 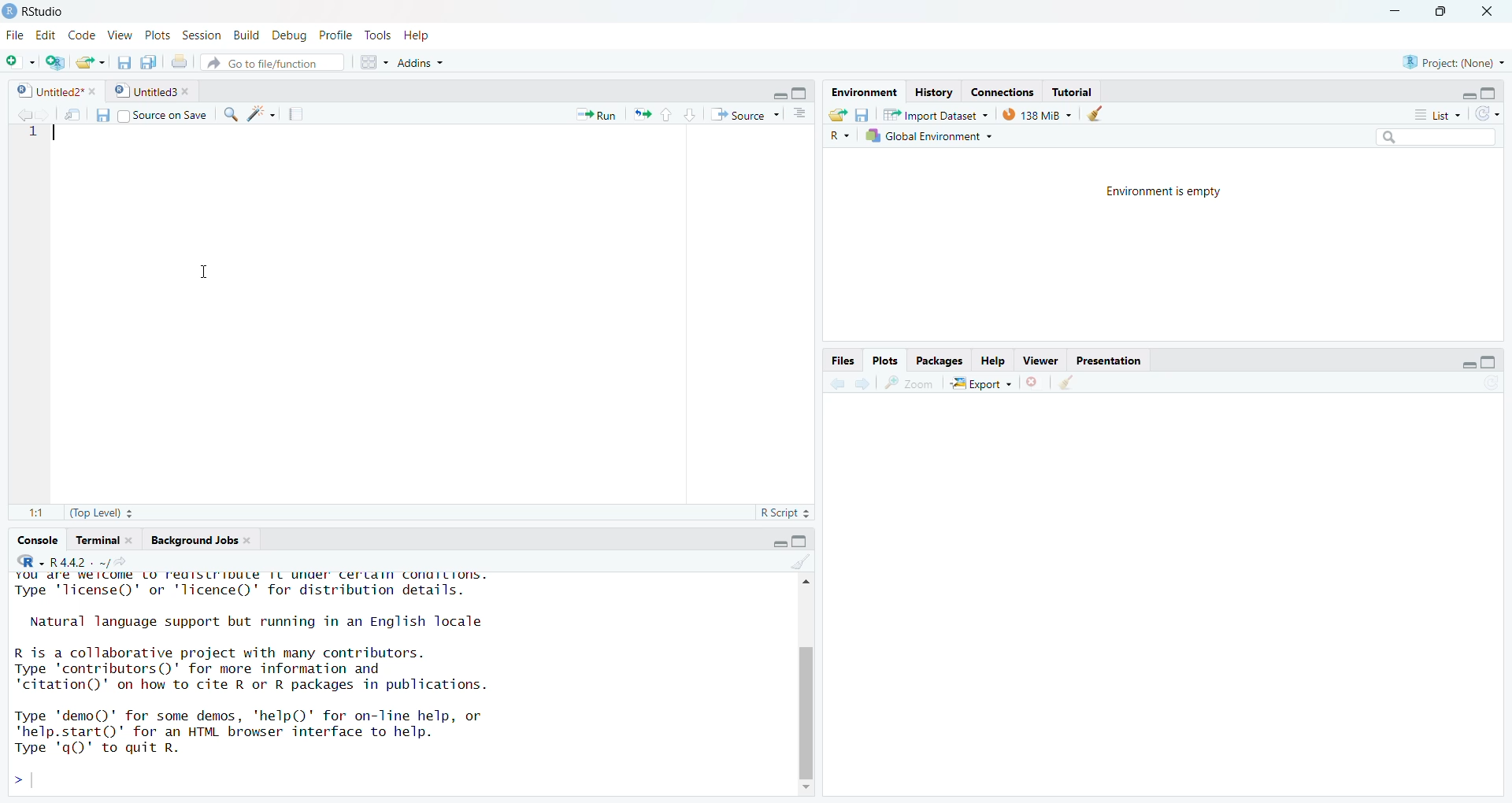 I want to click on , so click(x=13, y=36).